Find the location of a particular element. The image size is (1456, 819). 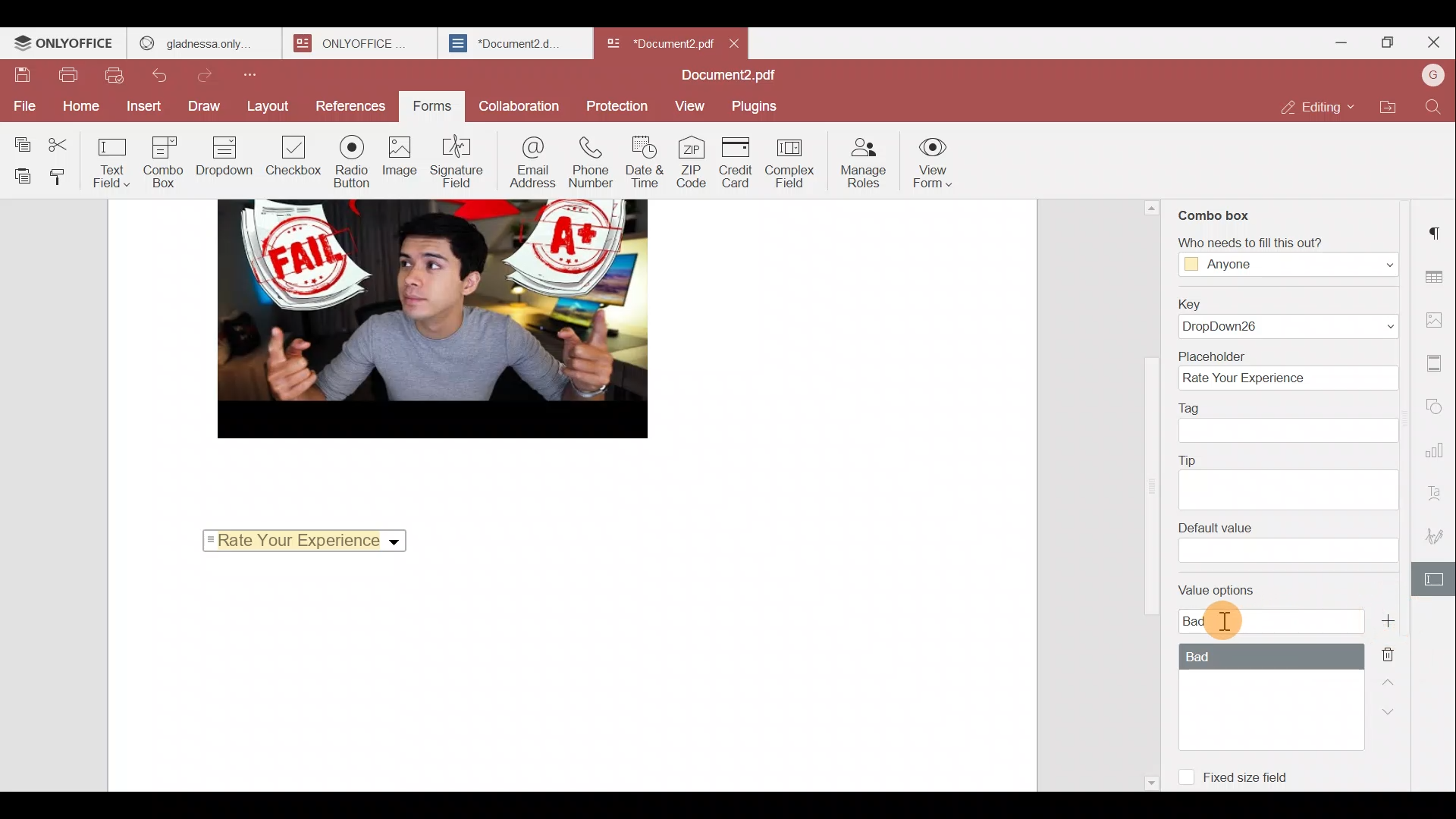

Copy is located at coordinates (22, 141).